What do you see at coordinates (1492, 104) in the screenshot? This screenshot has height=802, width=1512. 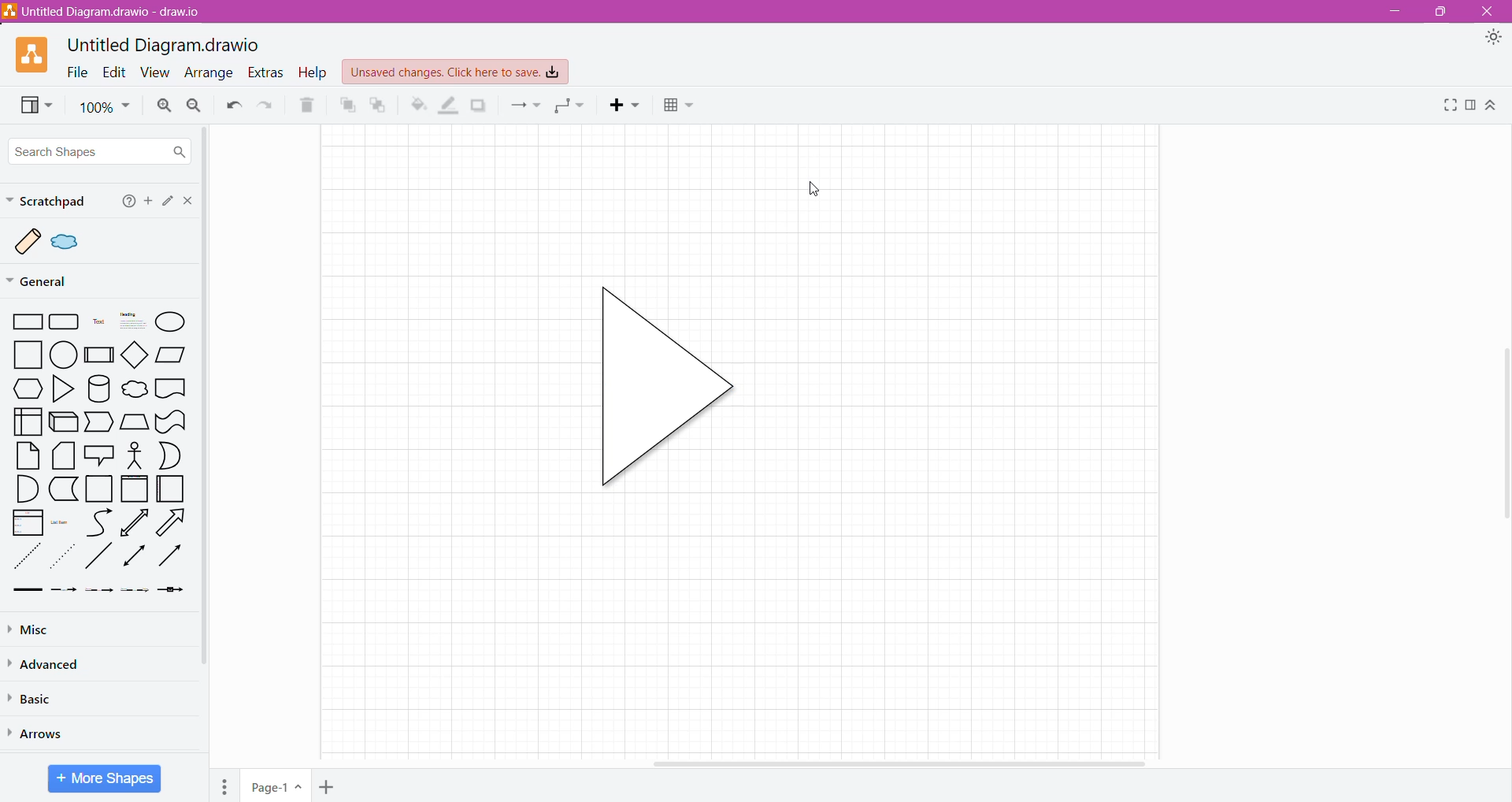 I see `Expand/Collapse` at bounding box center [1492, 104].